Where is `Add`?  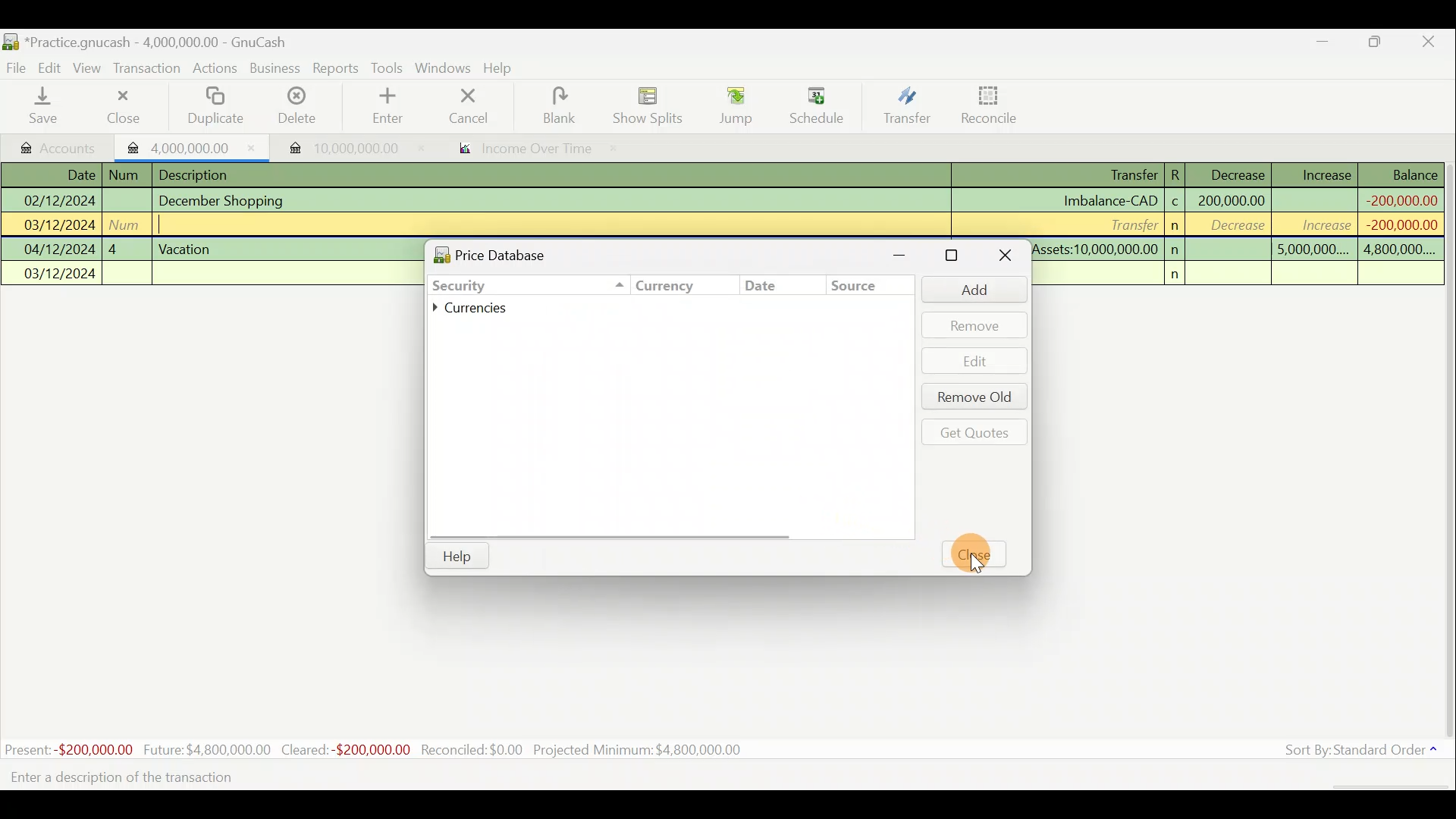
Add is located at coordinates (967, 289).